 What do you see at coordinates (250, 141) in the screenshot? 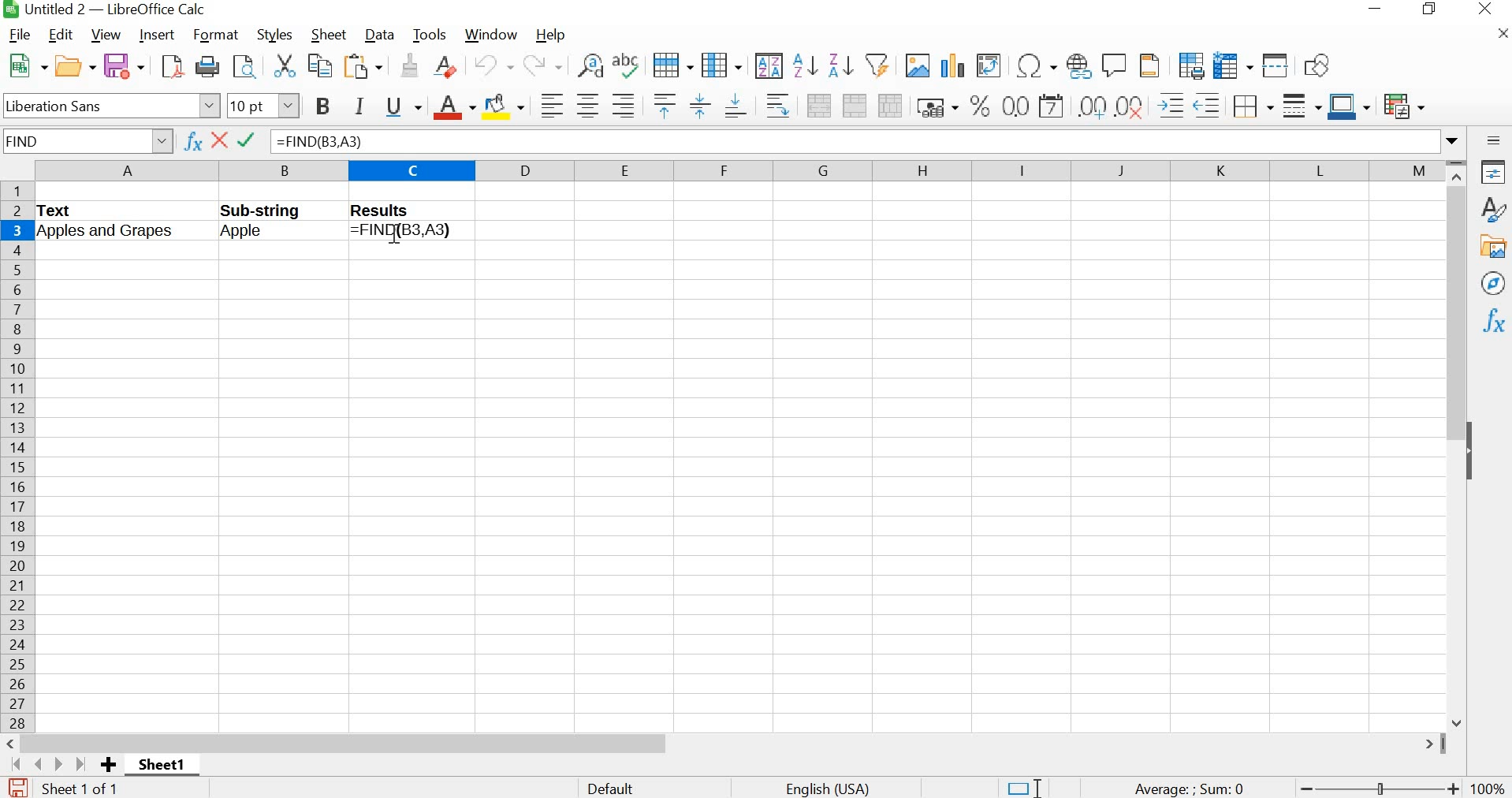
I see `select function / formula` at bounding box center [250, 141].